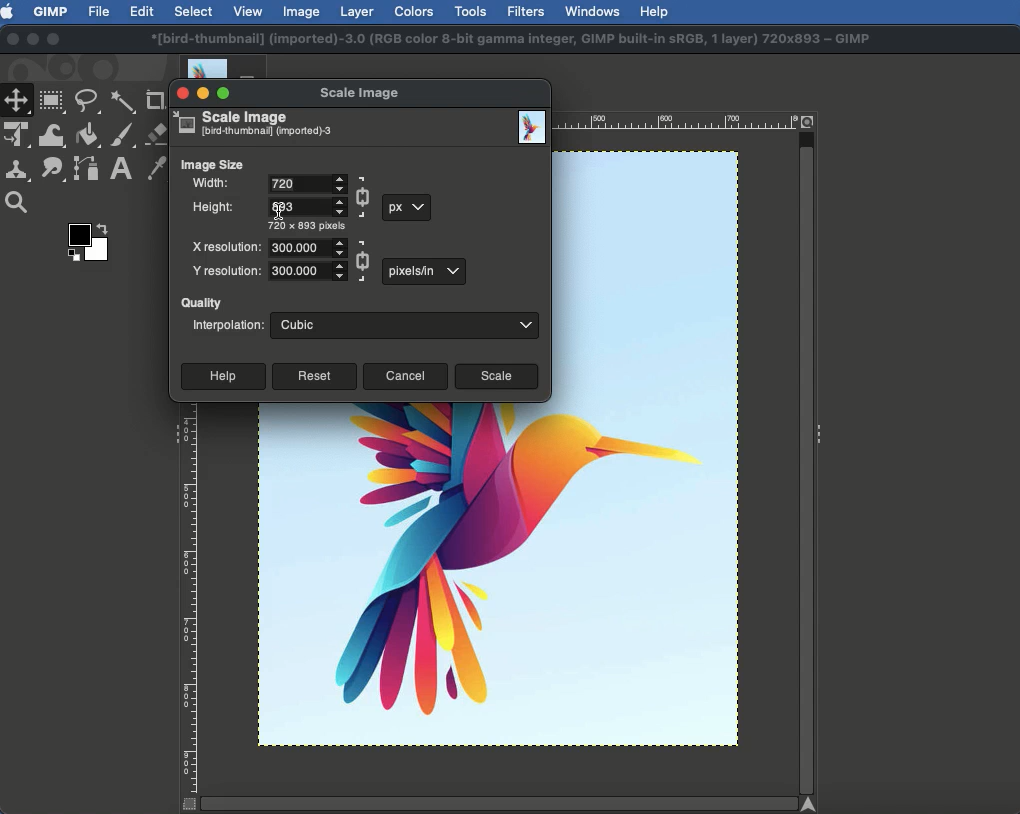  I want to click on View, so click(249, 10).